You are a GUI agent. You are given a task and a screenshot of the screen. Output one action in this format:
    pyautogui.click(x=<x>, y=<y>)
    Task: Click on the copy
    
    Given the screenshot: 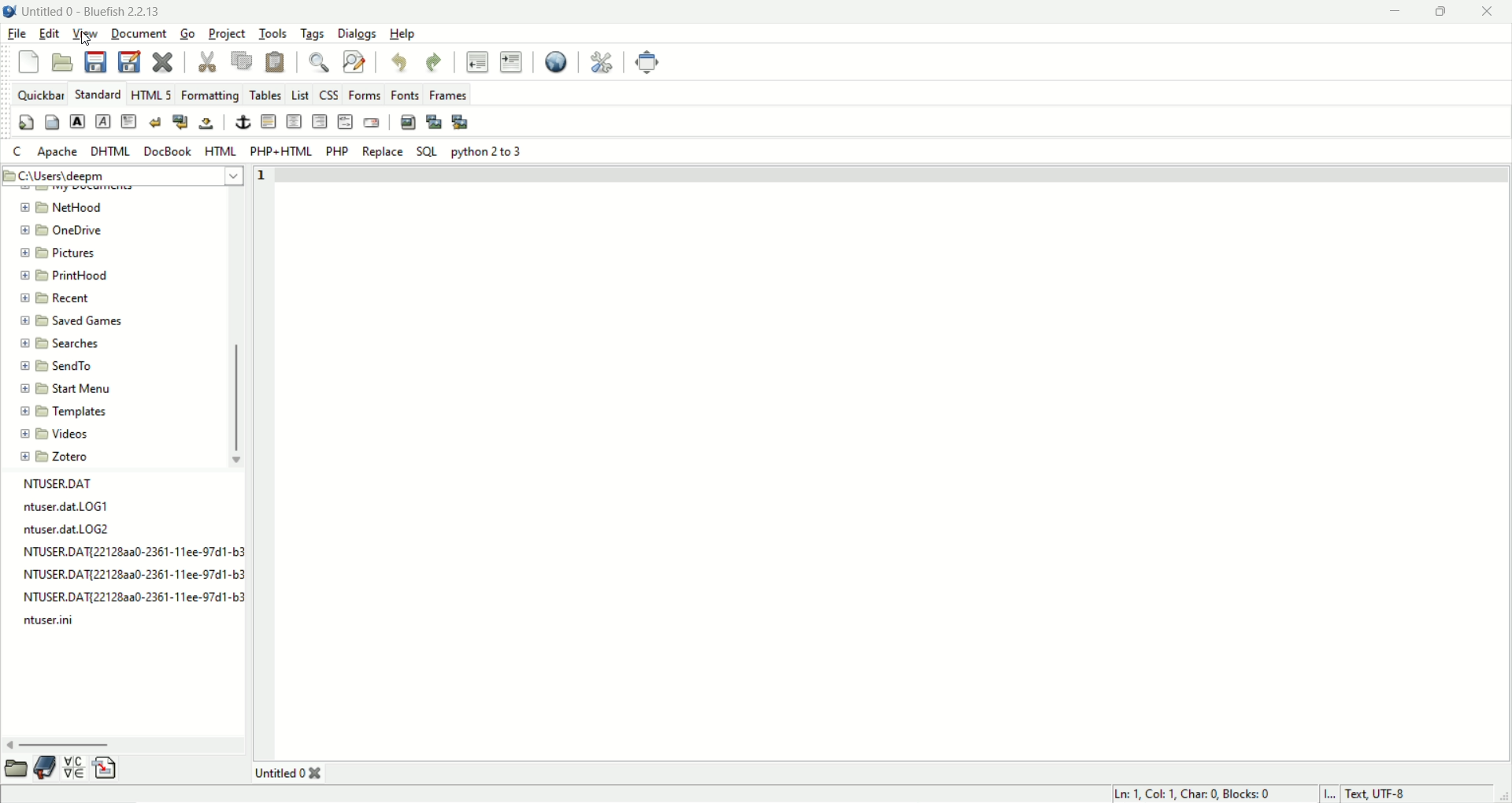 What is the action you would take?
    pyautogui.click(x=240, y=60)
    